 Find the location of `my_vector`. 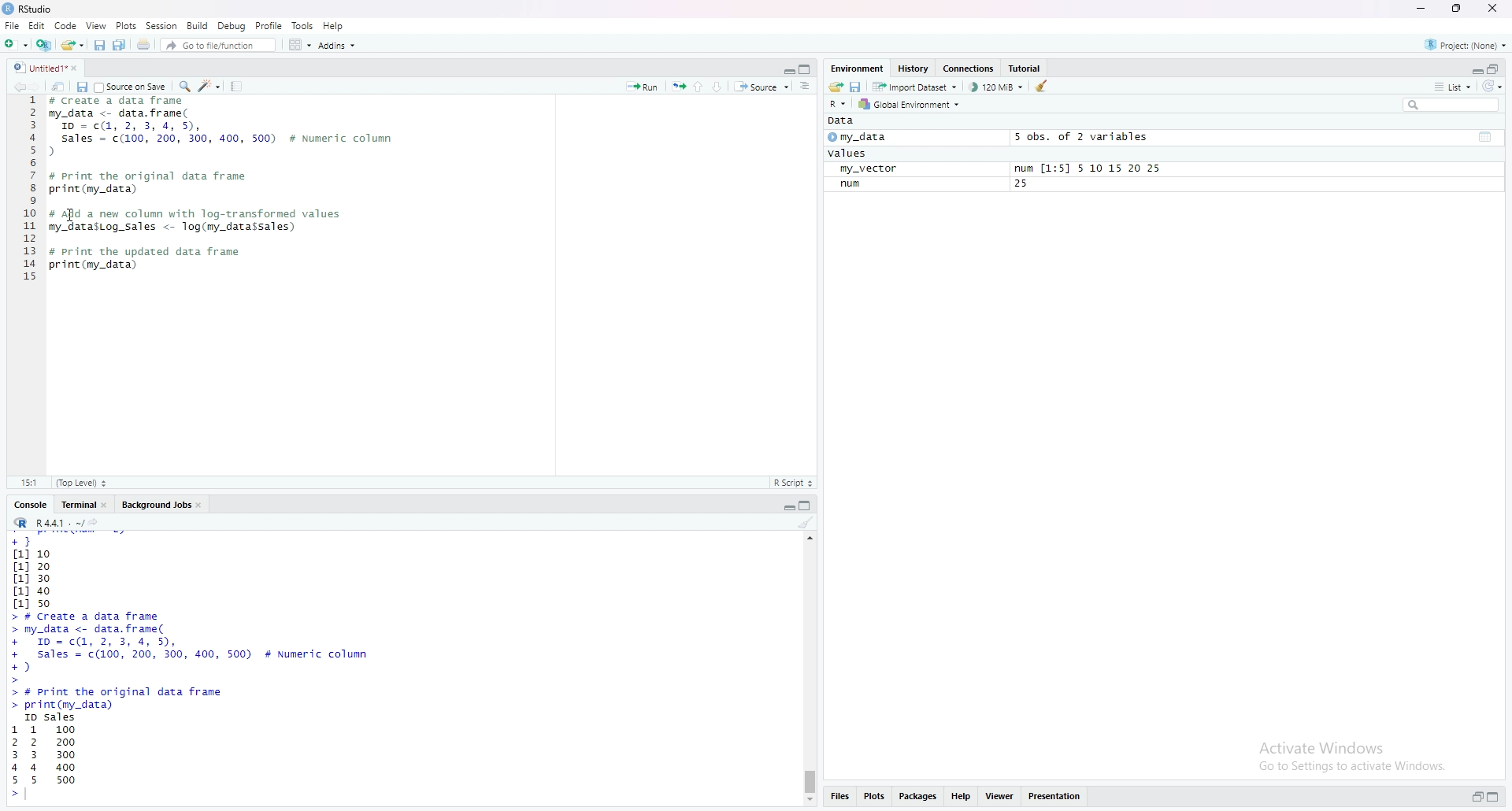

my_vector is located at coordinates (876, 169).